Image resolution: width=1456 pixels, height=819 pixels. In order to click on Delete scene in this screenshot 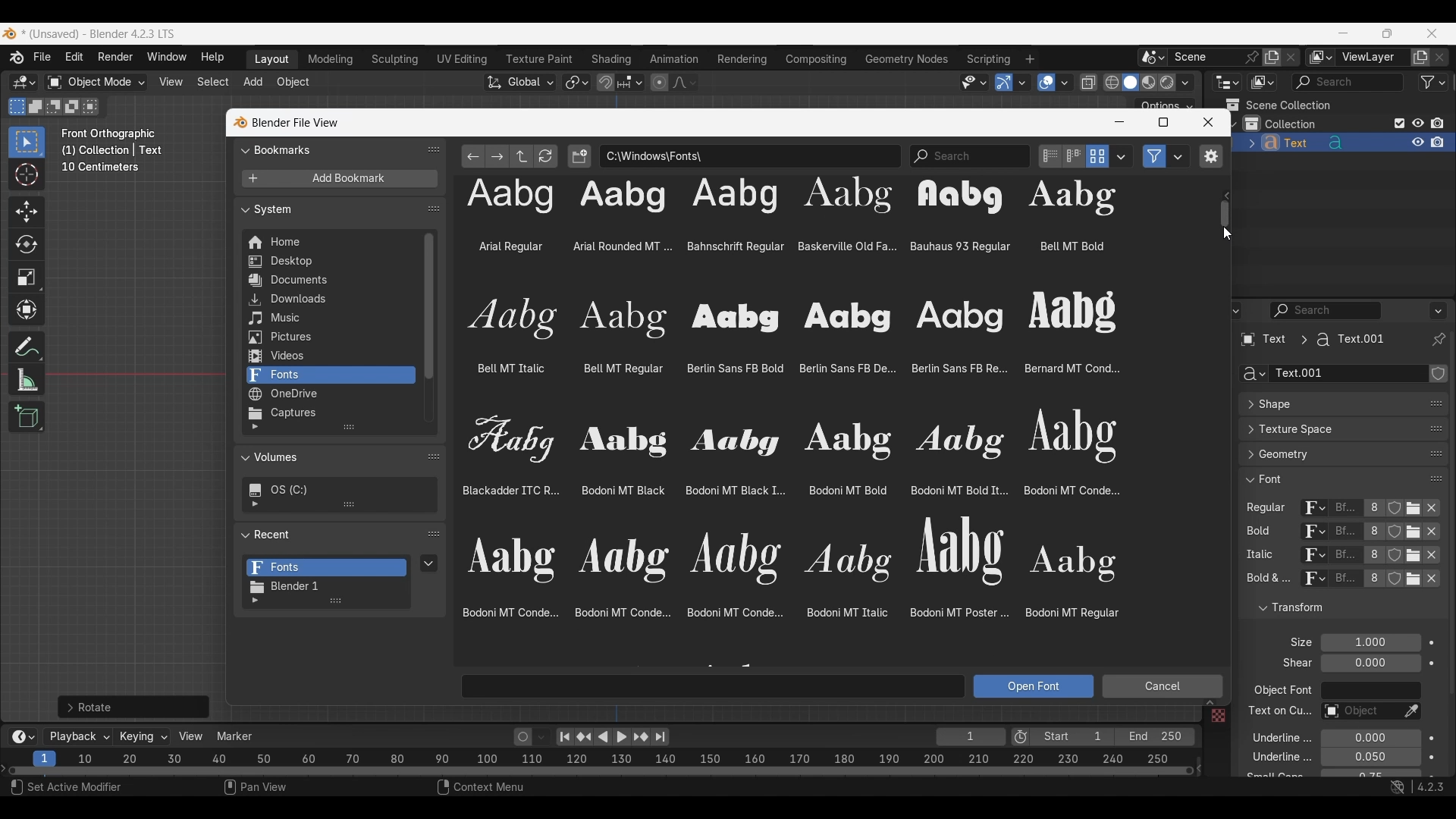, I will do `click(1291, 58)`.